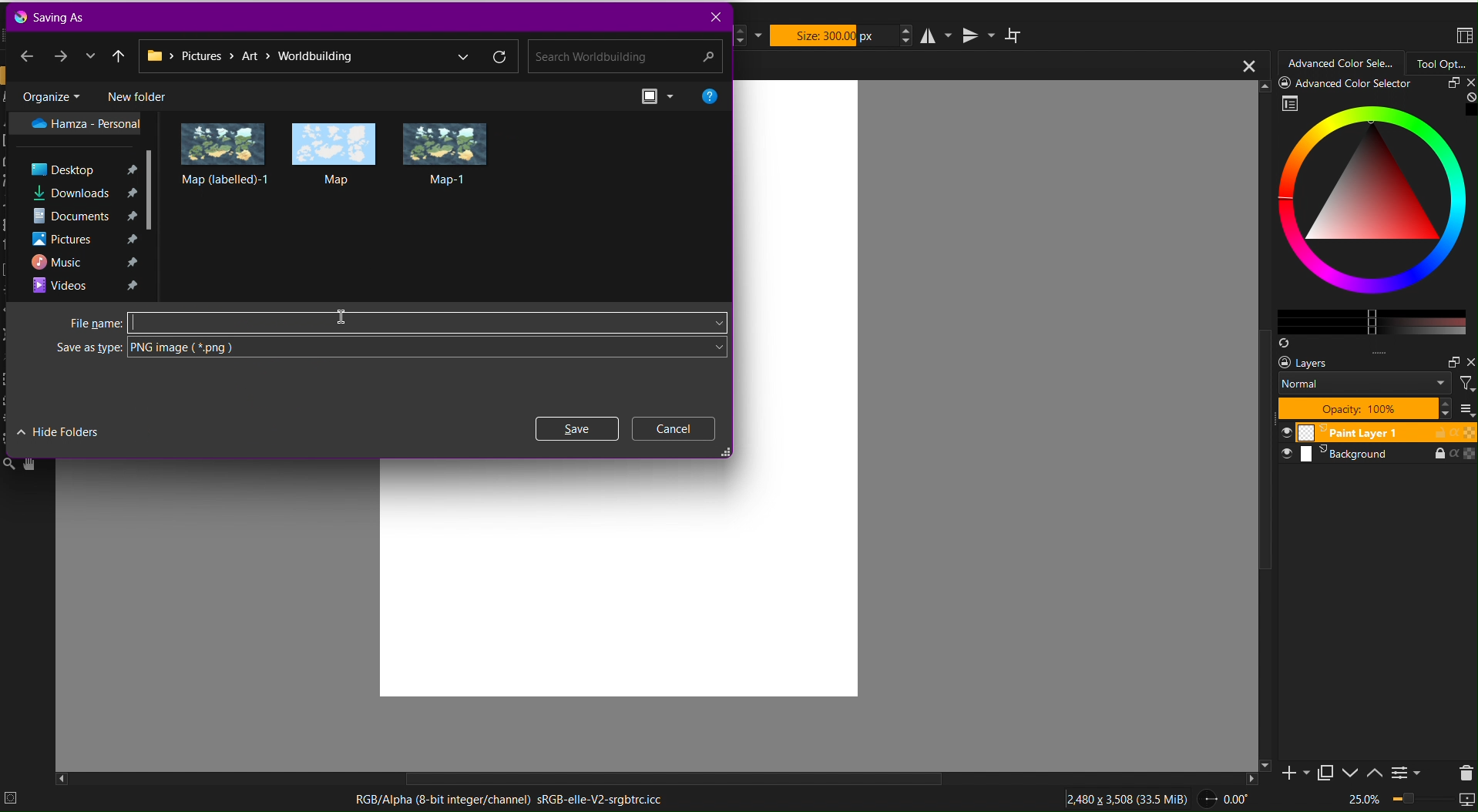 Image resolution: width=1478 pixels, height=812 pixels. Describe the element at coordinates (136, 95) in the screenshot. I see `New Folder` at that location.